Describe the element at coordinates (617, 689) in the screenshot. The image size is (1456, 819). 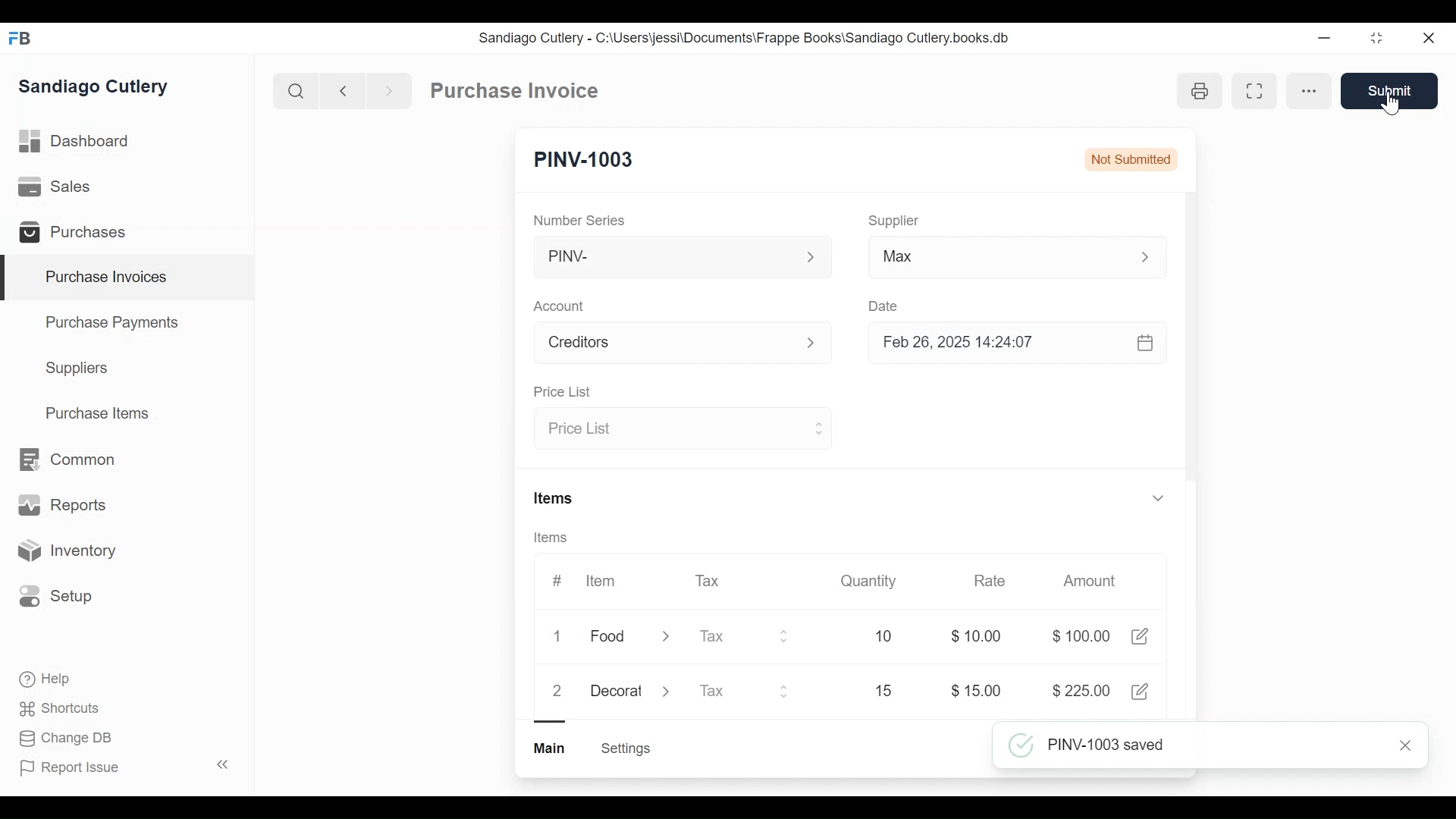
I see `Decorat` at that location.